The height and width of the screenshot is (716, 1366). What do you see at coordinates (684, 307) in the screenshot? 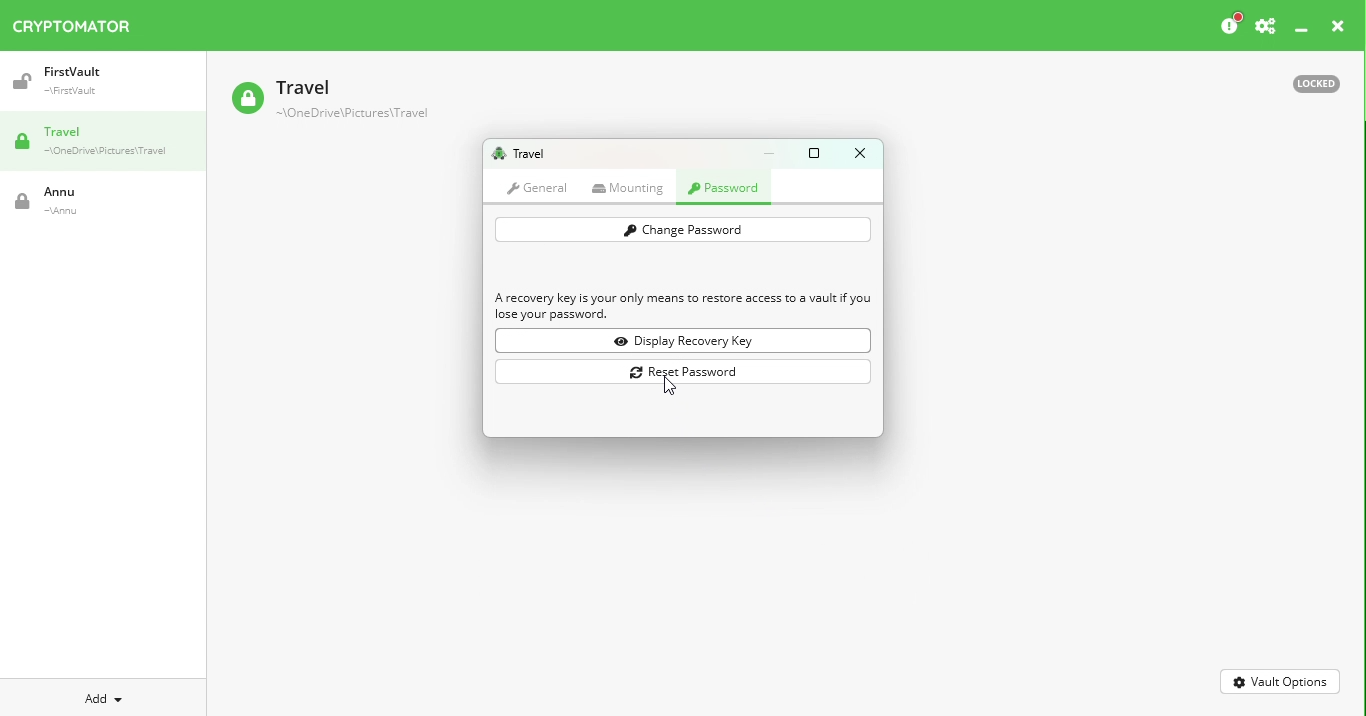
I see `Recovery key information` at bounding box center [684, 307].